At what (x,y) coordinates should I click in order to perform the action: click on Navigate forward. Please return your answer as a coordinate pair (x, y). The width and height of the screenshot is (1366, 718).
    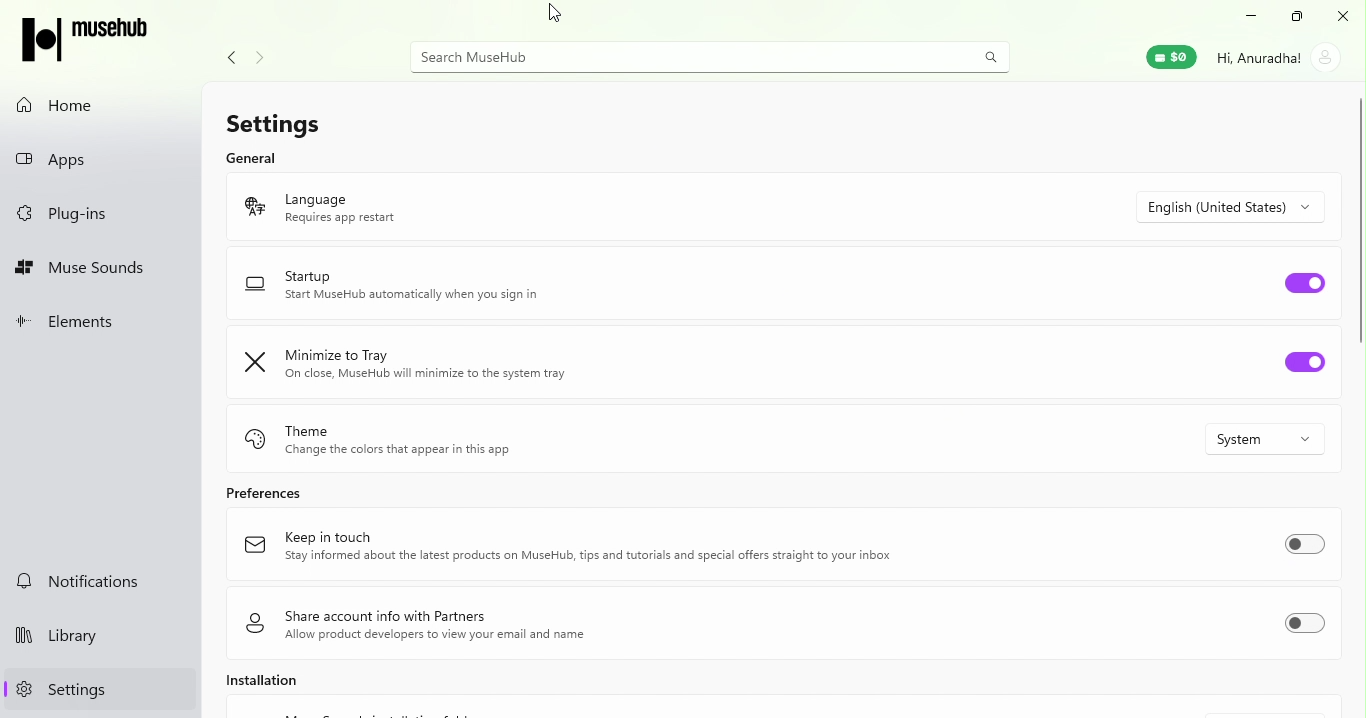
    Looking at the image, I should click on (256, 58).